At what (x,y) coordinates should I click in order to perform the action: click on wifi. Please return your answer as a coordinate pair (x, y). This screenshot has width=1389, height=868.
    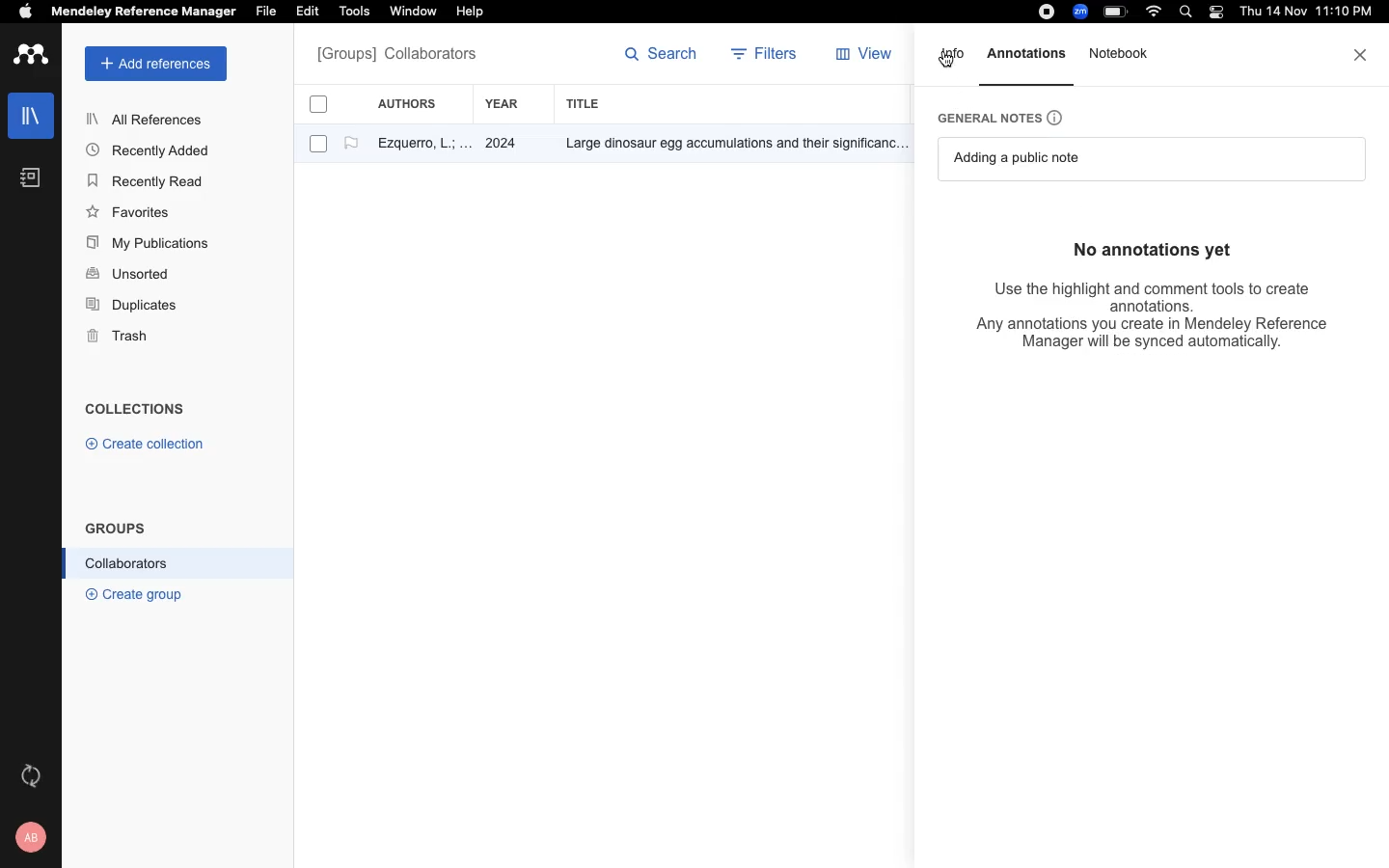
    Looking at the image, I should click on (1157, 12).